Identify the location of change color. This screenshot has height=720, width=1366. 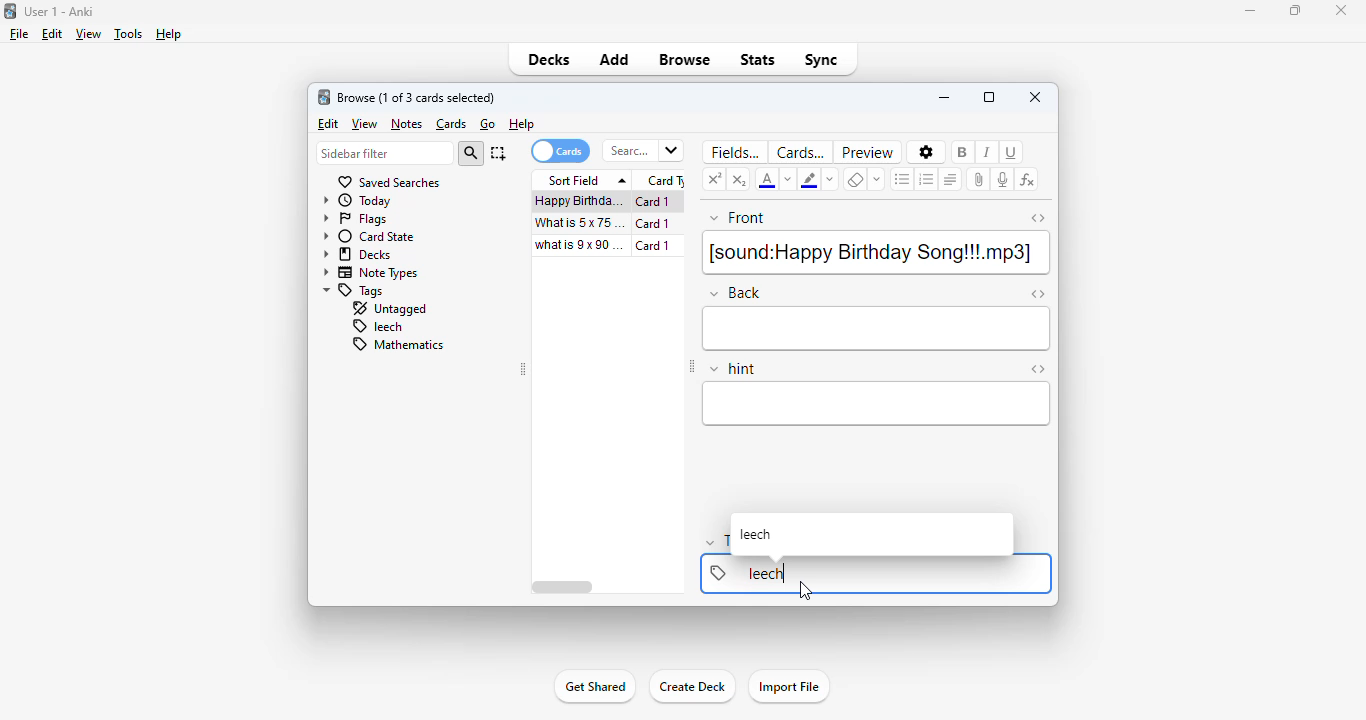
(789, 180).